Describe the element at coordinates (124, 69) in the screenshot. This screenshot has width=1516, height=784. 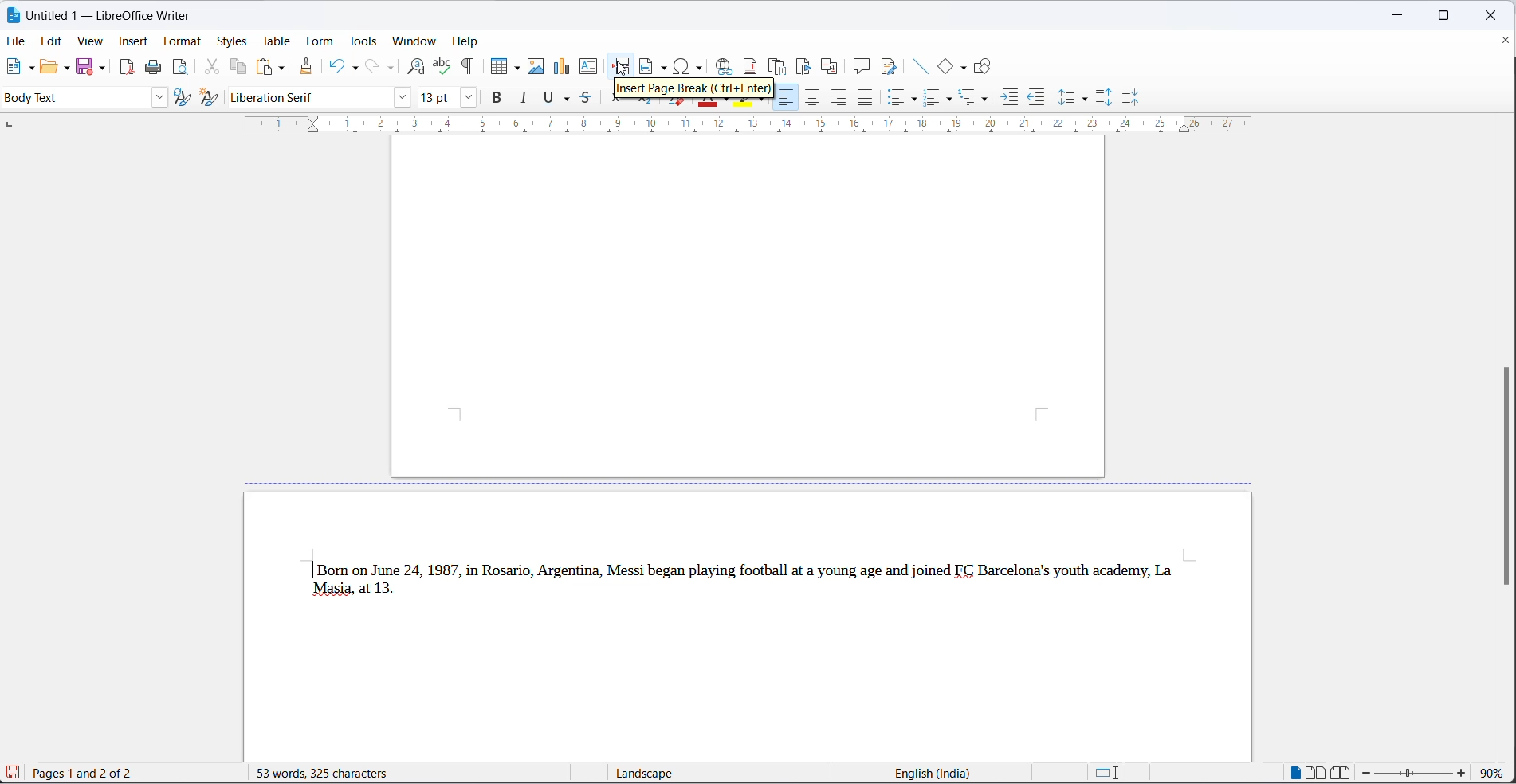
I see `export as pdf` at that location.